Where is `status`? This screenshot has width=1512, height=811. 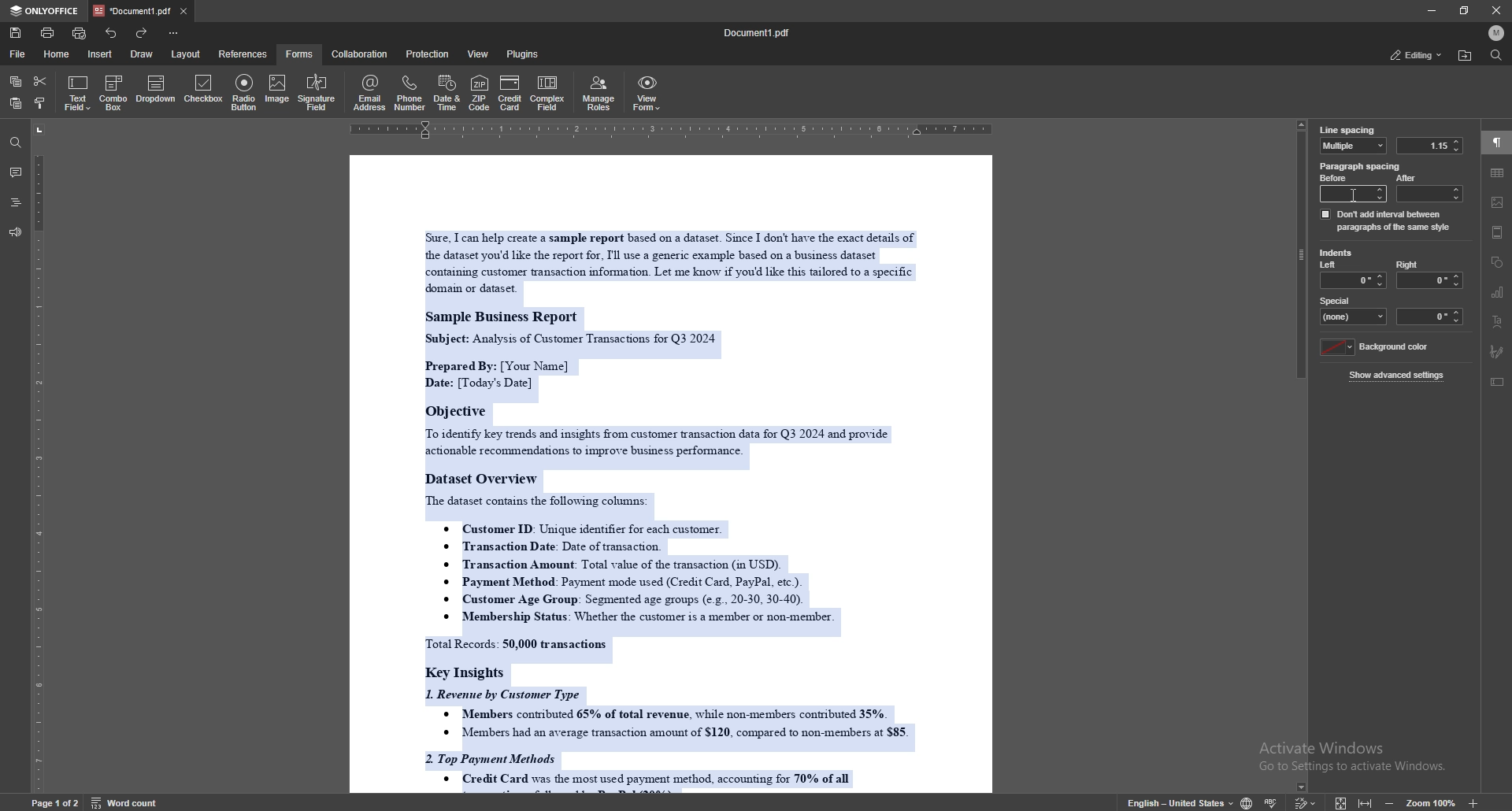
status is located at coordinates (1415, 54).